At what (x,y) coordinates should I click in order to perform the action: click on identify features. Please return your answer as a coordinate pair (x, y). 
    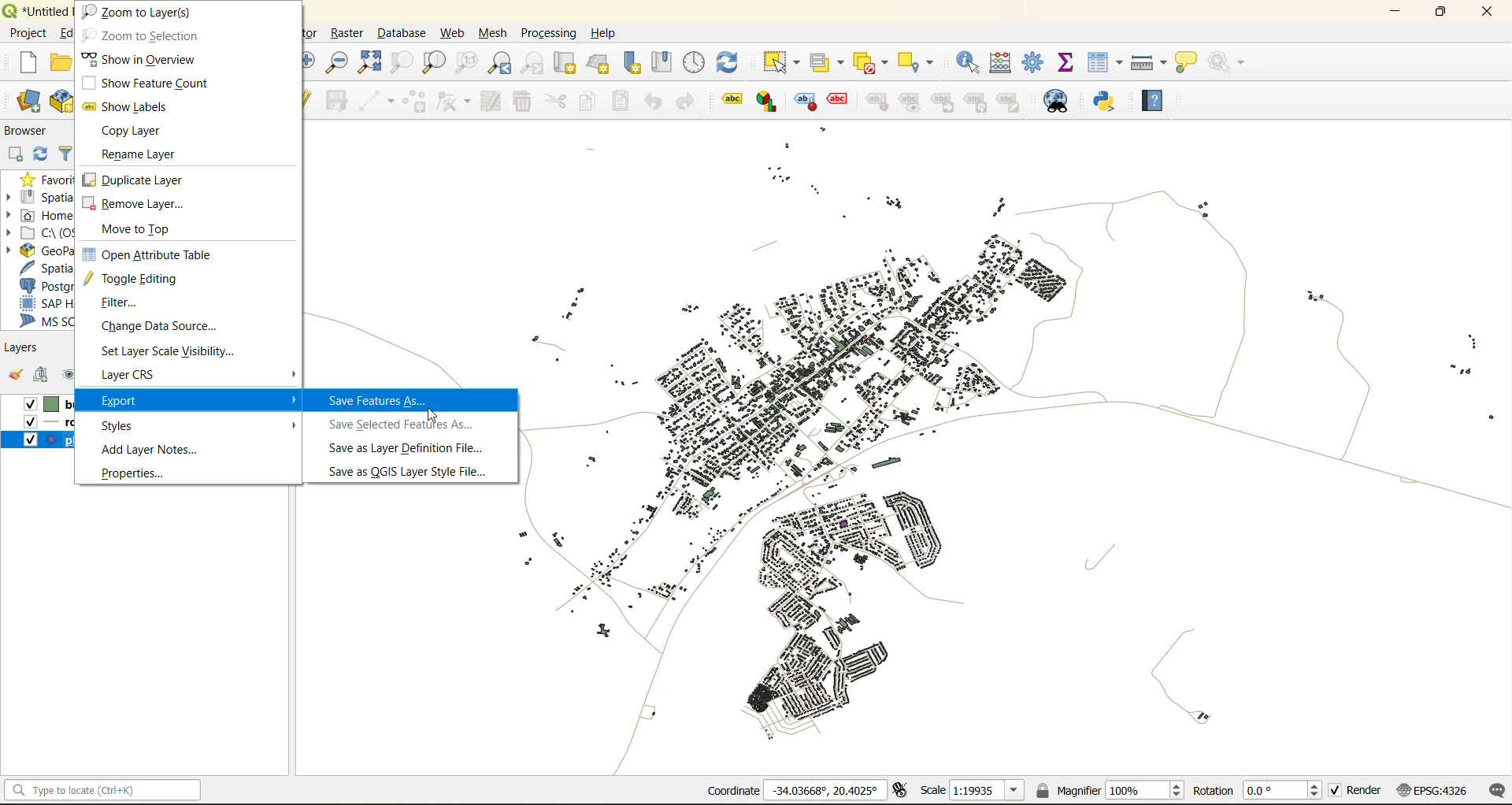
    Looking at the image, I should click on (972, 61).